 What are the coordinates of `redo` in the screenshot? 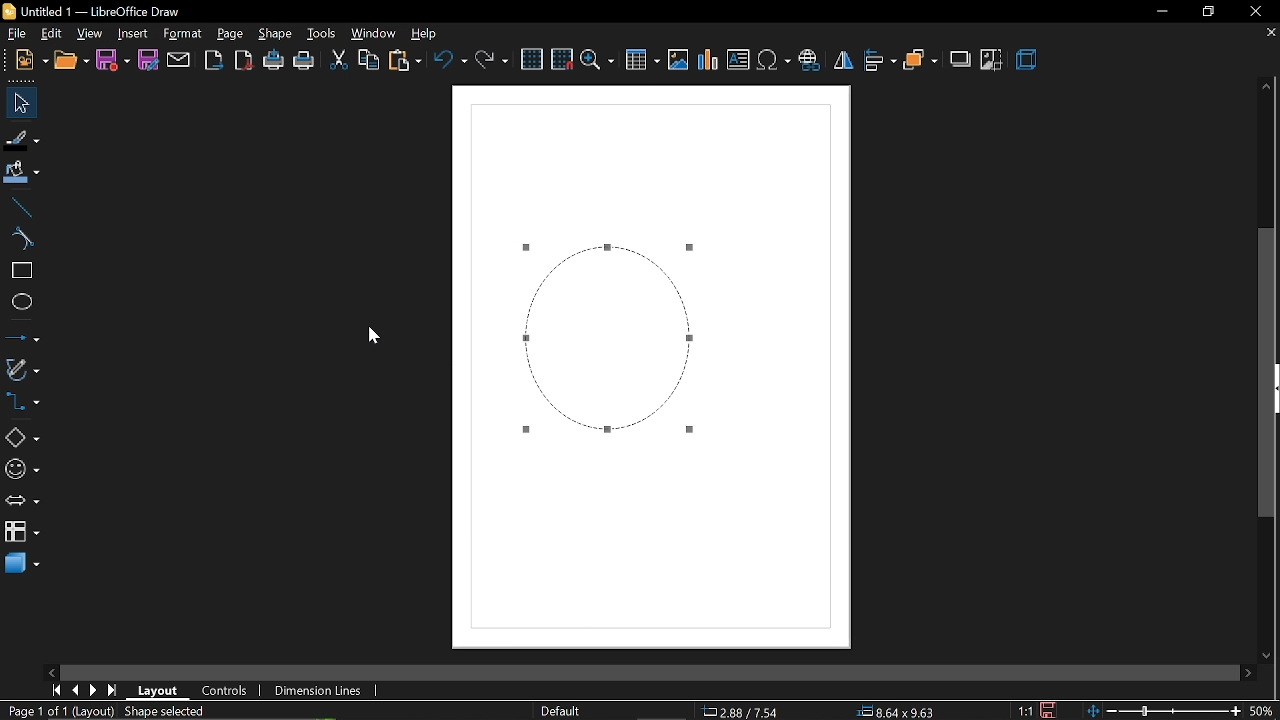 It's located at (493, 60).